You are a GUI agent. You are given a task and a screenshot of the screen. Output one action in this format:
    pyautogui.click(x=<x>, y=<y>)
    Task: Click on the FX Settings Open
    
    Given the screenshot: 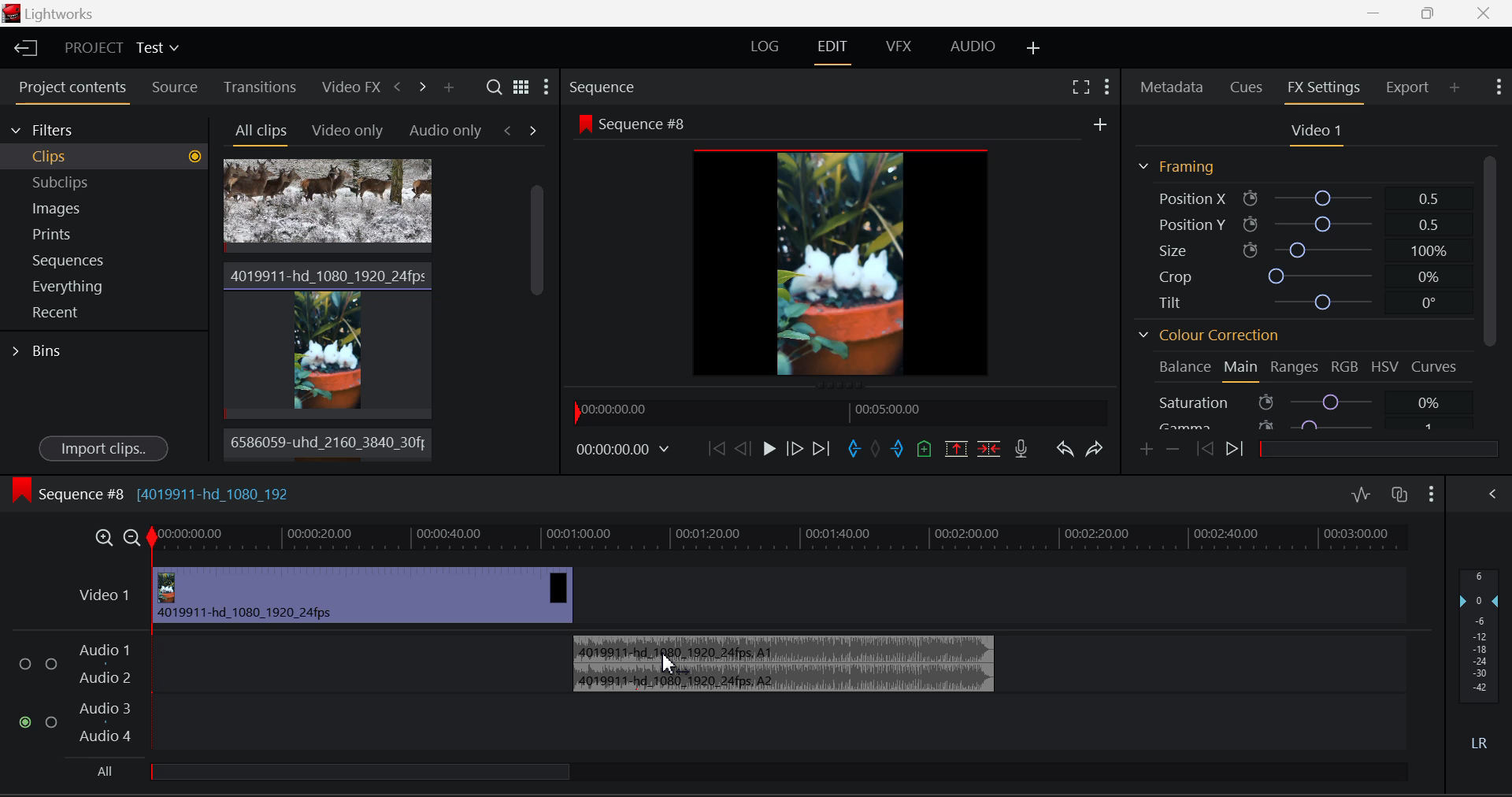 What is the action you would take?
    pyautogui.click(x=1326, y=89)
    